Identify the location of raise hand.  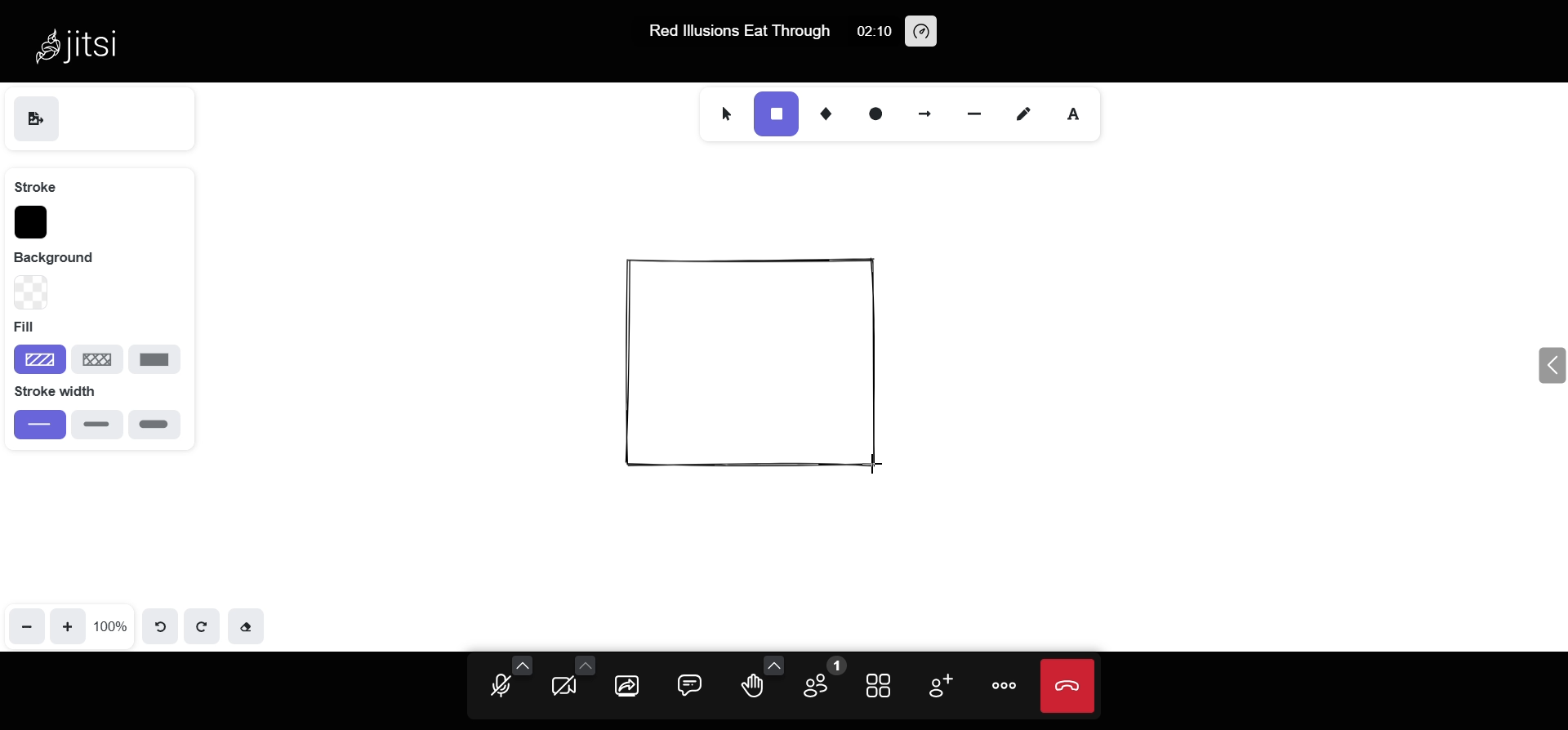
(751, 688).